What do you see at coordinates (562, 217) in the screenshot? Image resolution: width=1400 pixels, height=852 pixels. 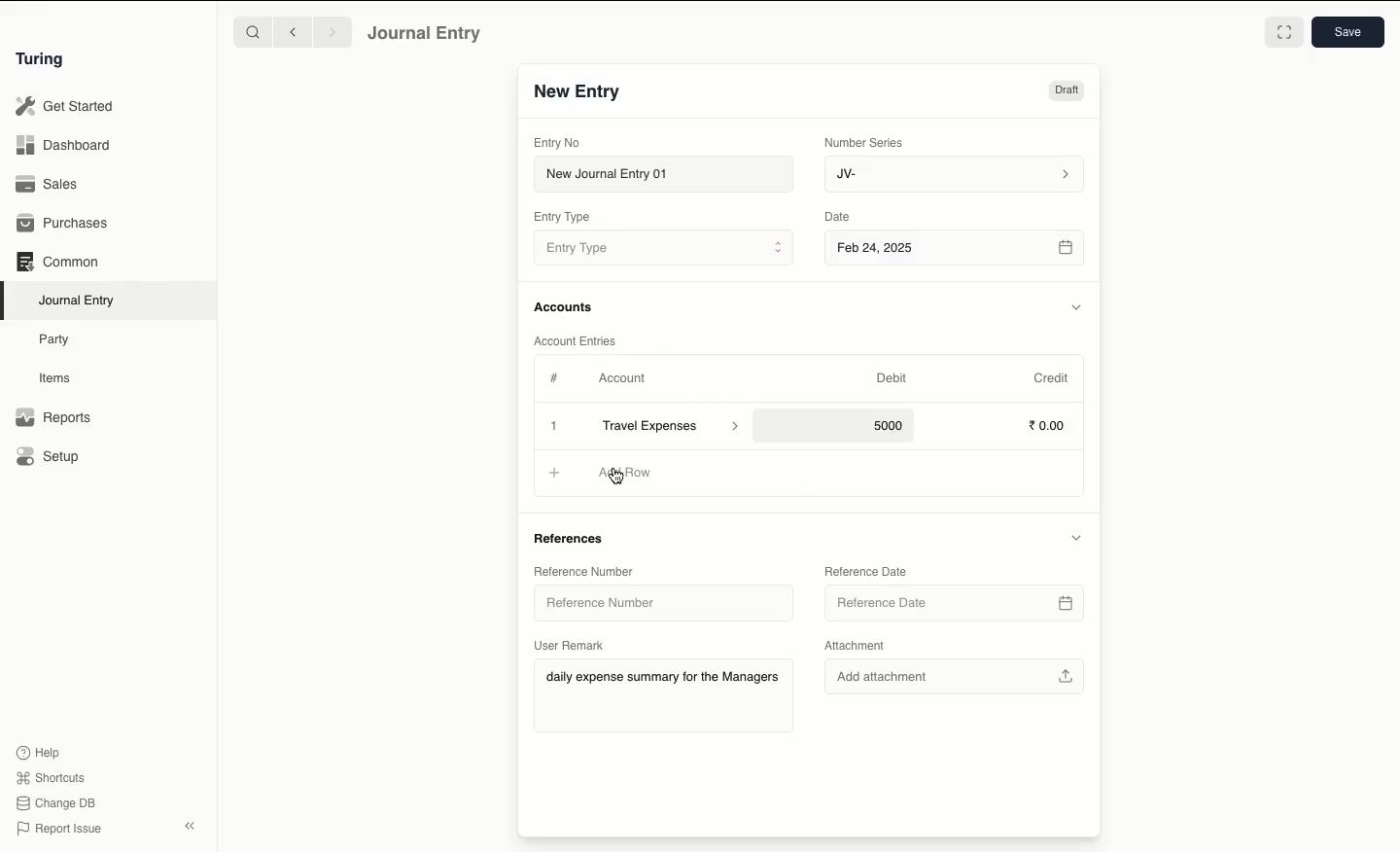 I see `Entry Type` at bounding box center [562, 217].